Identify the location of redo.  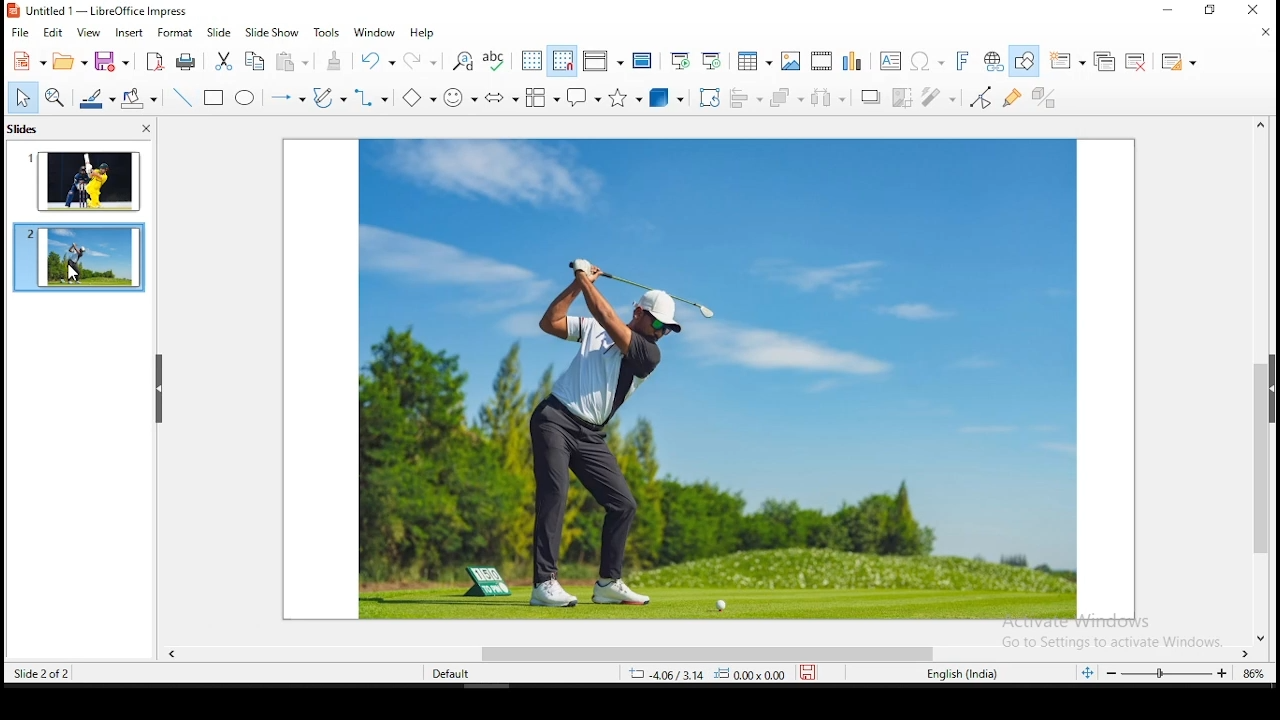
(421, 62).